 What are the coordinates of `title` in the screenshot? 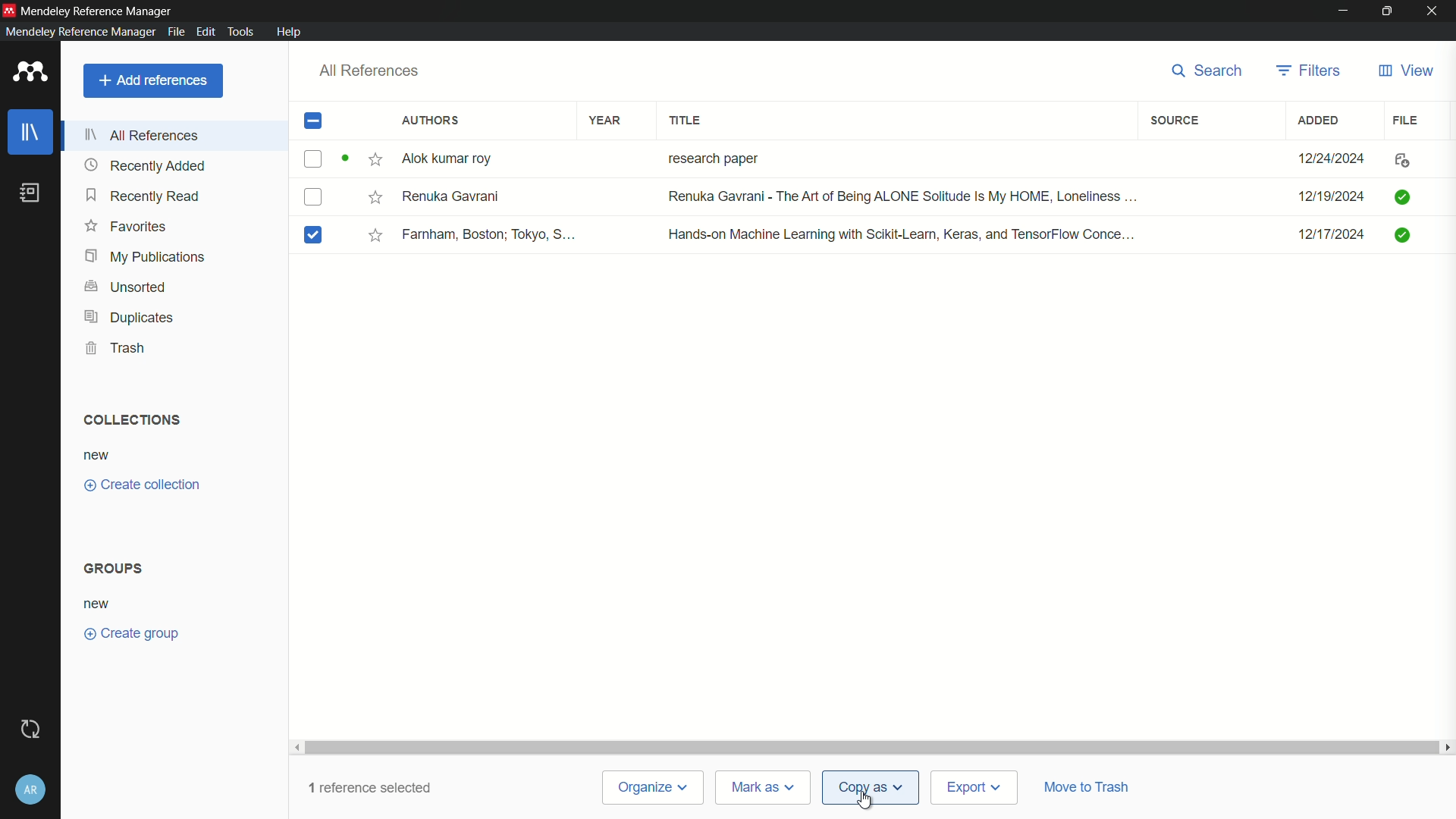 It's located at (686, 119).